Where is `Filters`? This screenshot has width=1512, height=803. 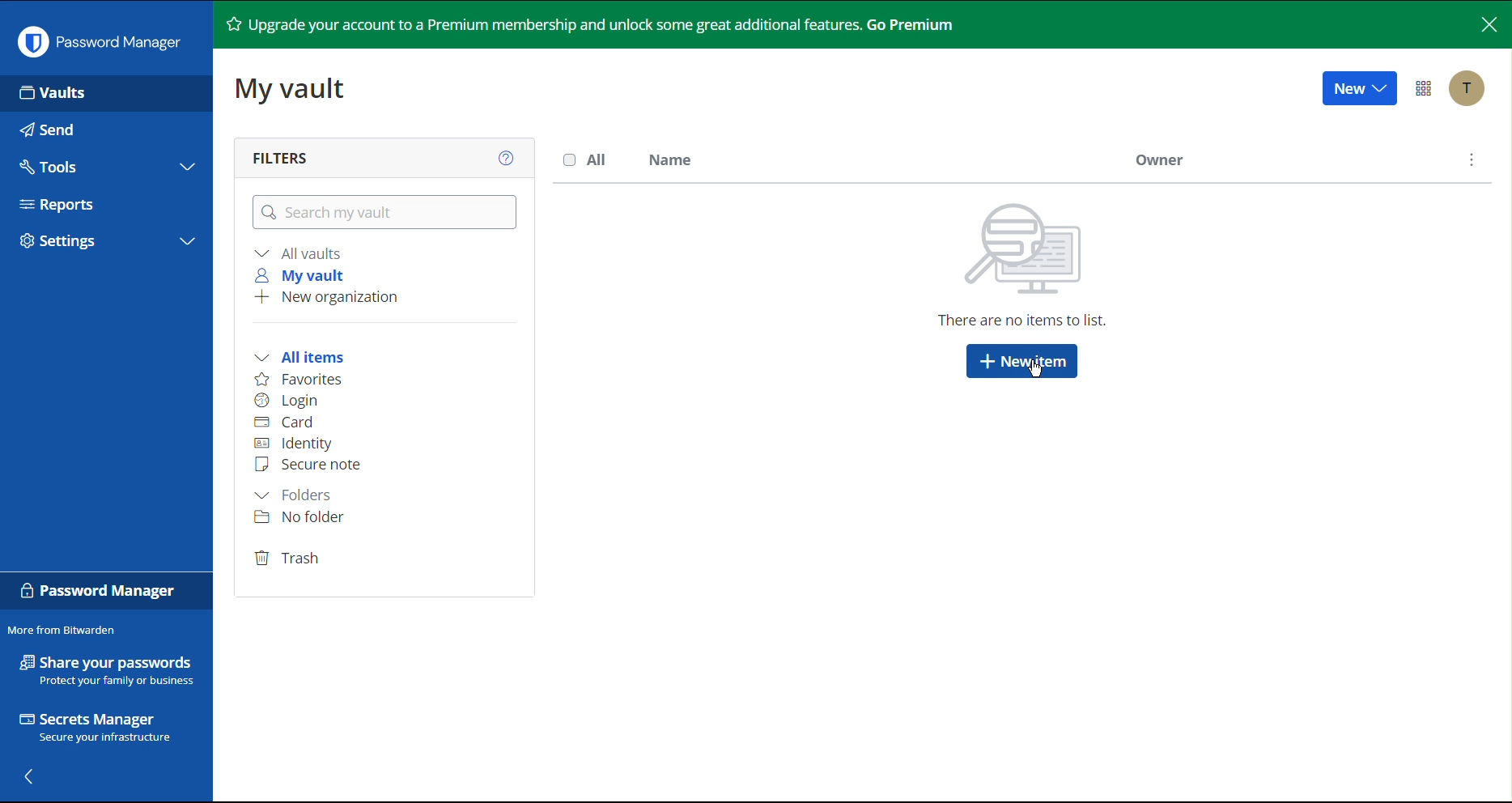 Filters is located at coordinates (284, 156).